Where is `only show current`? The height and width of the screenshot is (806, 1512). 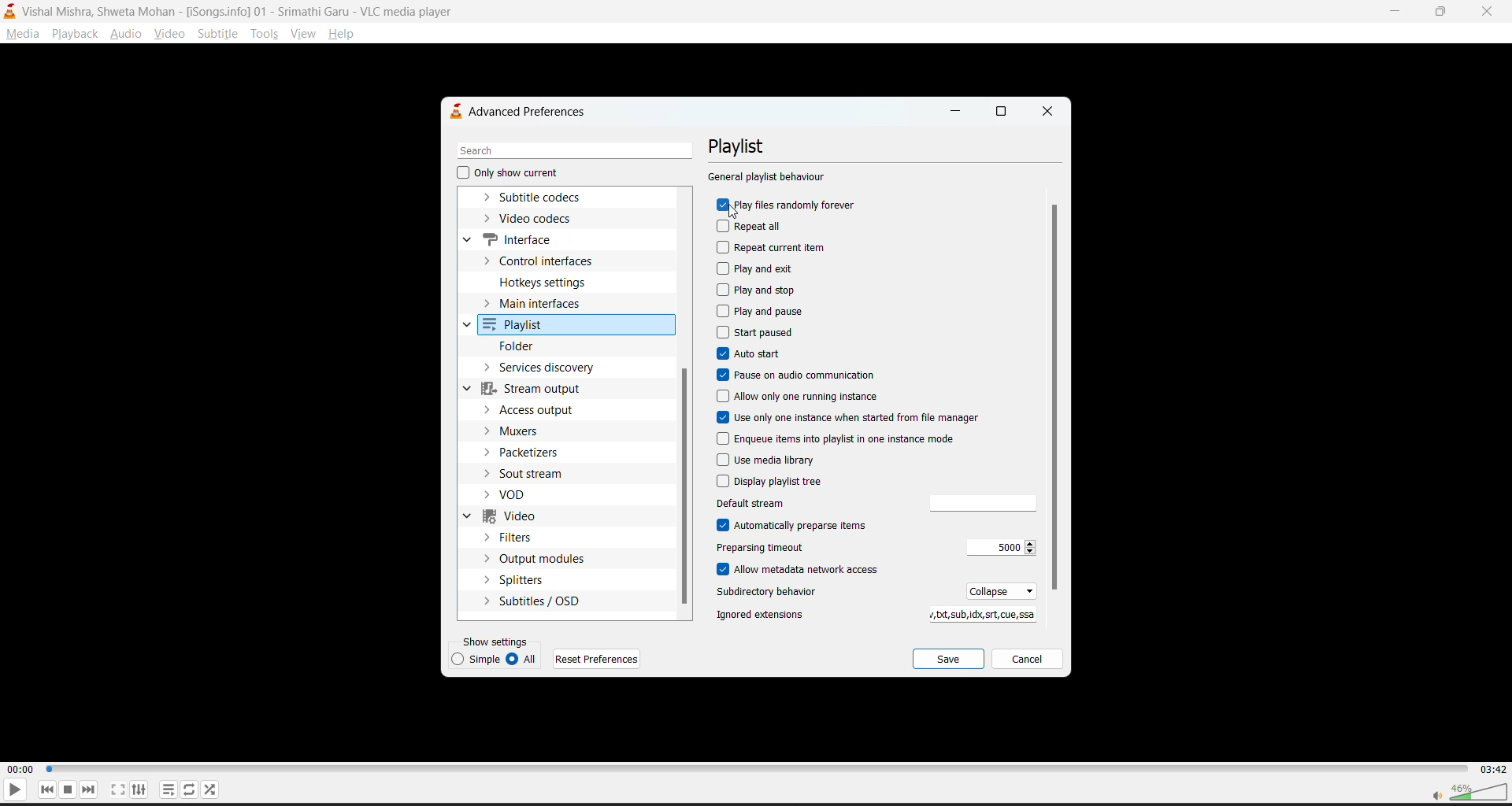 only show current is located at coordinates (512, 176).